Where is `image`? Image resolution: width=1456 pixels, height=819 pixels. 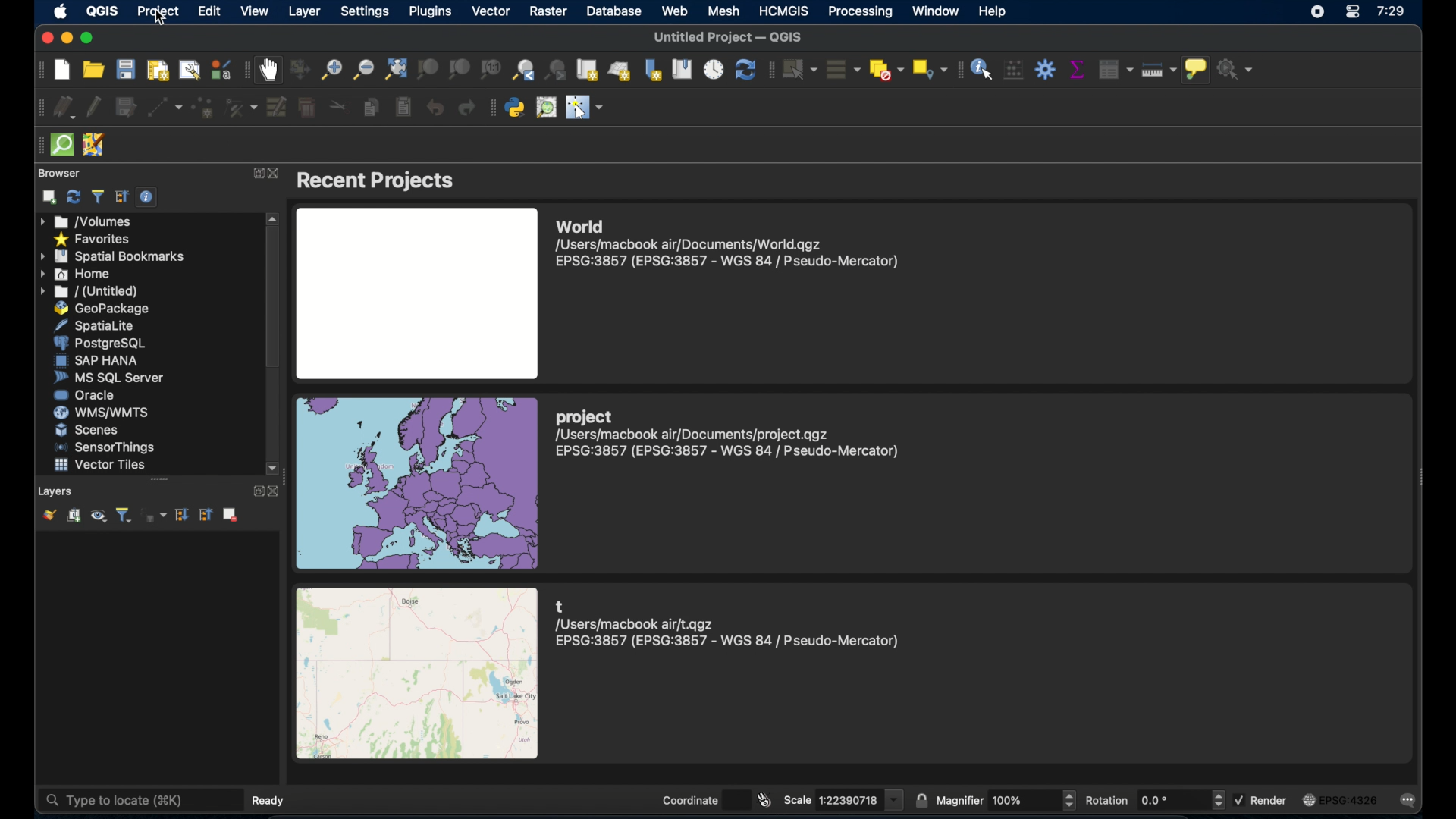
image is located at coordinates (417, 482).